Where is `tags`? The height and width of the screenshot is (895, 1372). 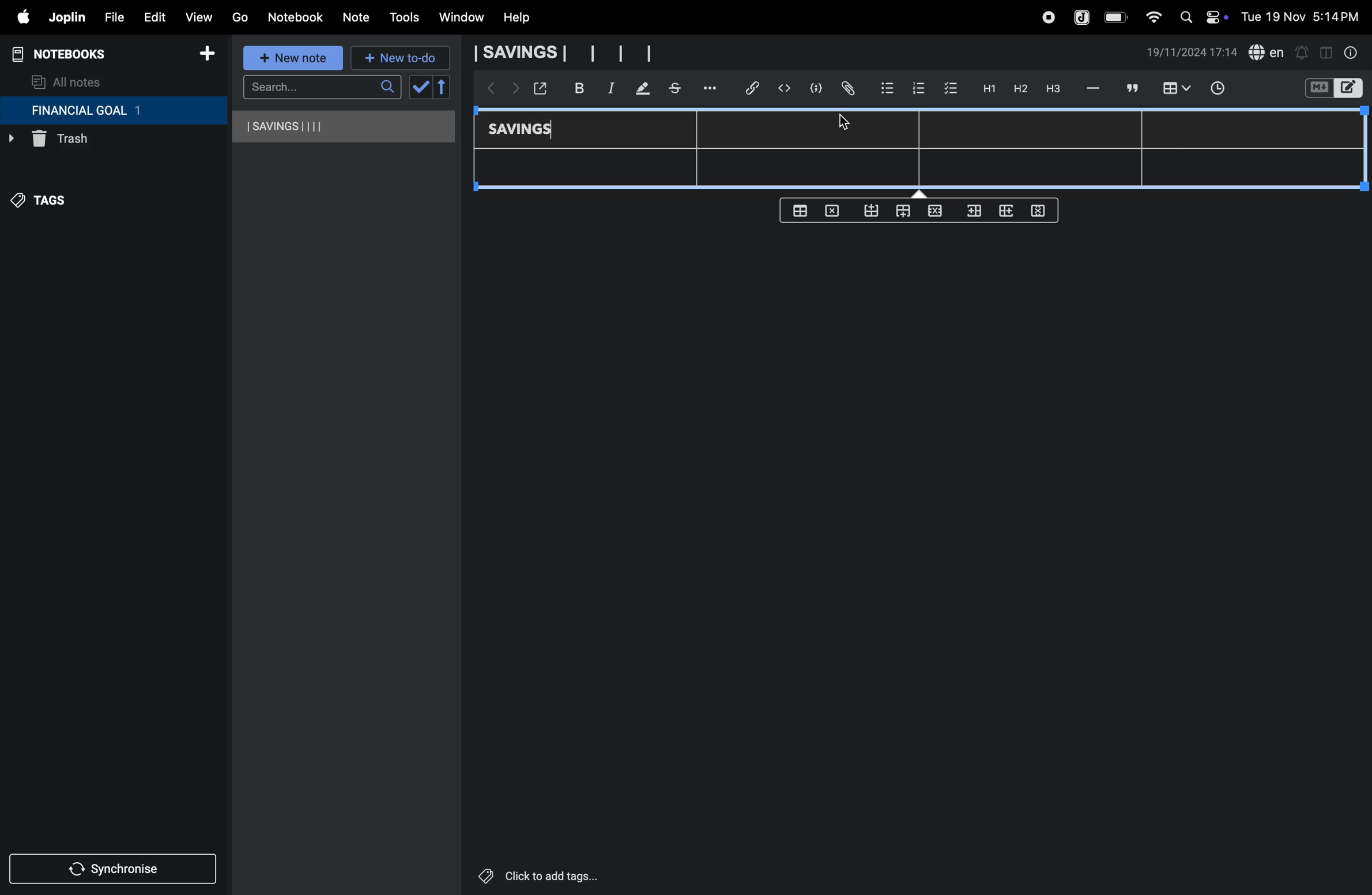
tags is located at coordinates (47, 206).